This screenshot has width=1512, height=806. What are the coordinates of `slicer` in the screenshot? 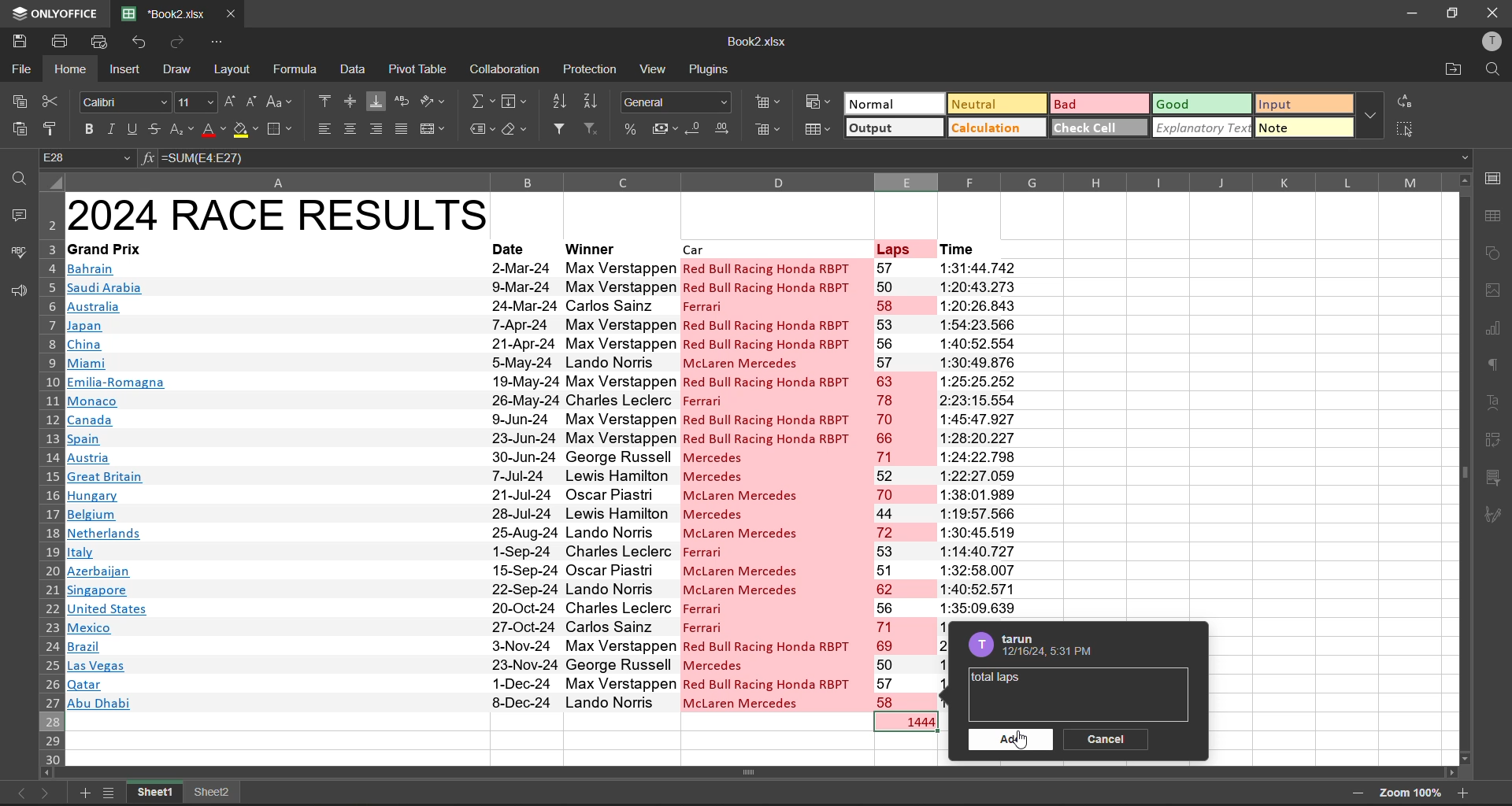 It's located at (1493, 481).